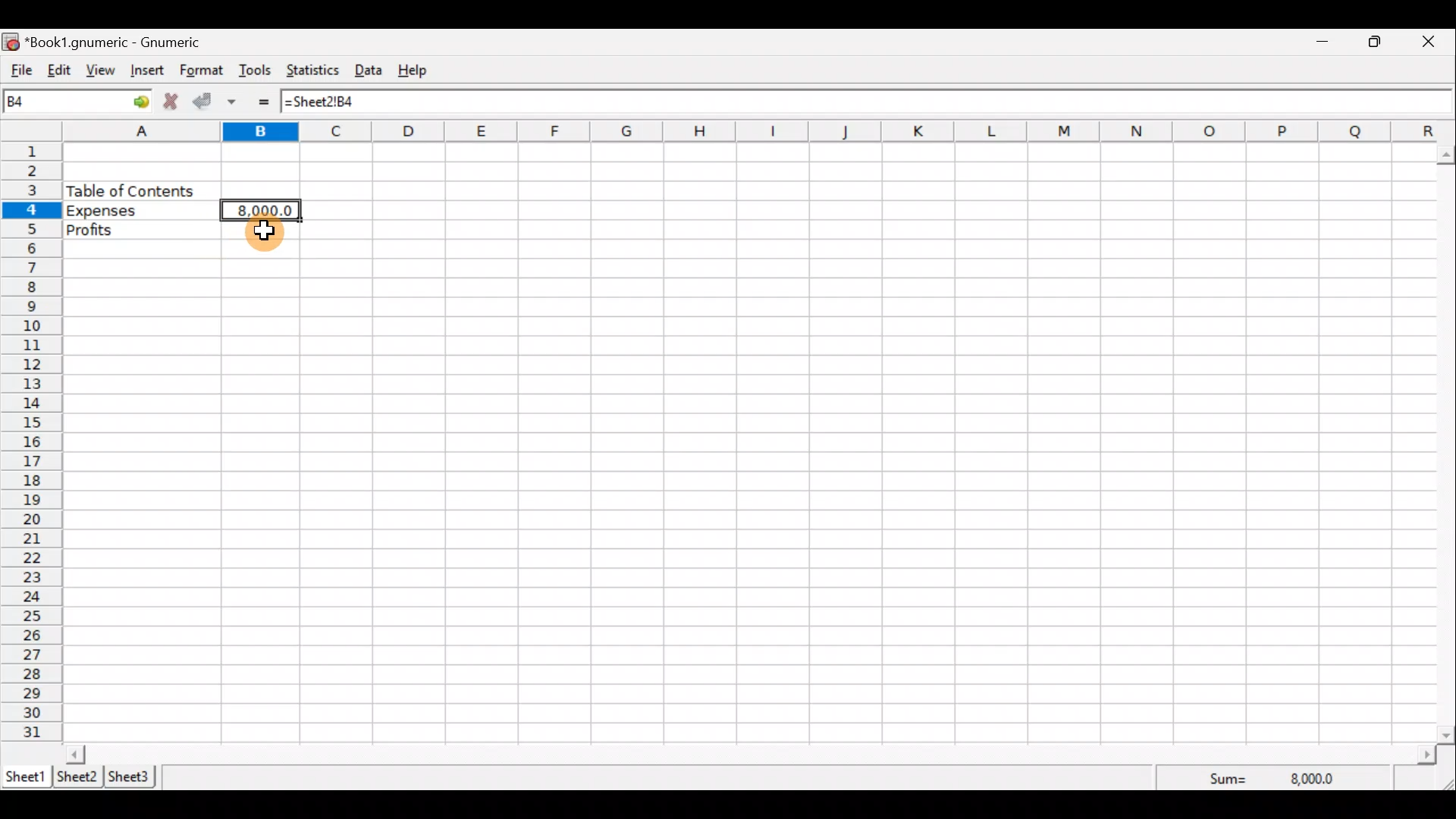 Image resolution: width=1456 pixels, height=819 pixels. I want to click on Help, so click(420, 71).